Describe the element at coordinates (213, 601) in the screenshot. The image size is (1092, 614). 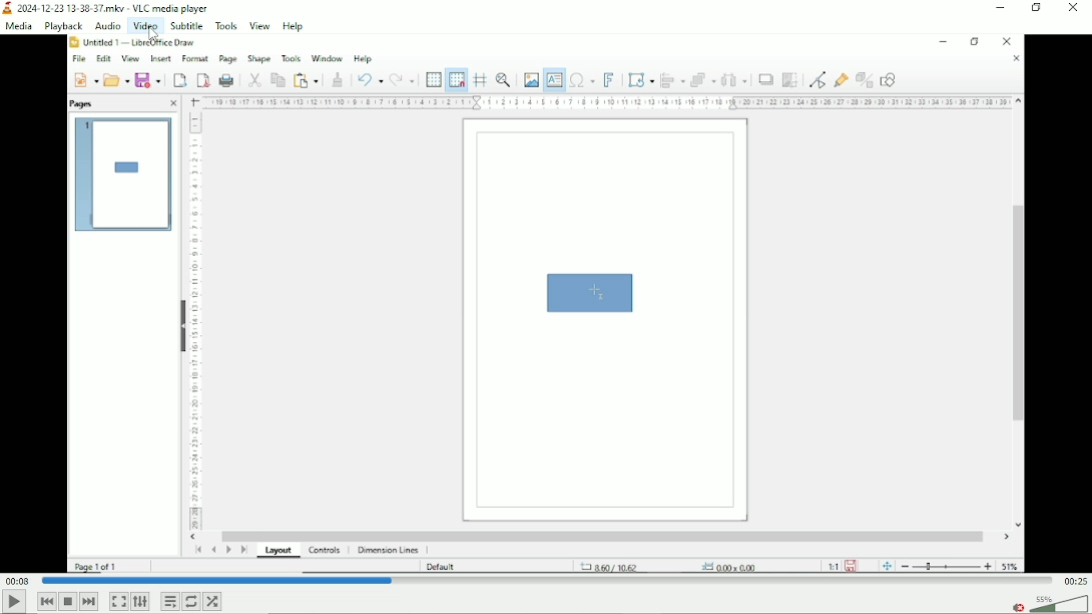
I see `random` at that location.